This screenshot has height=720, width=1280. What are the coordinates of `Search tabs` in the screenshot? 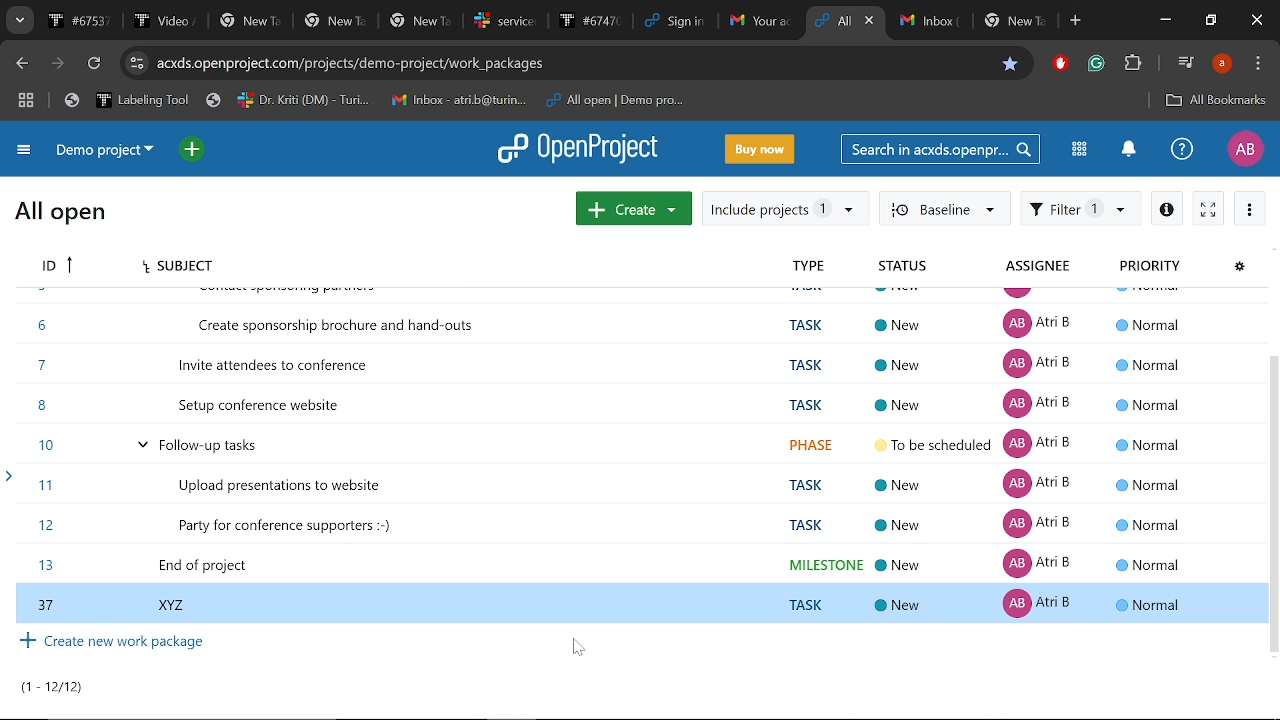 It's located at (18, 20).